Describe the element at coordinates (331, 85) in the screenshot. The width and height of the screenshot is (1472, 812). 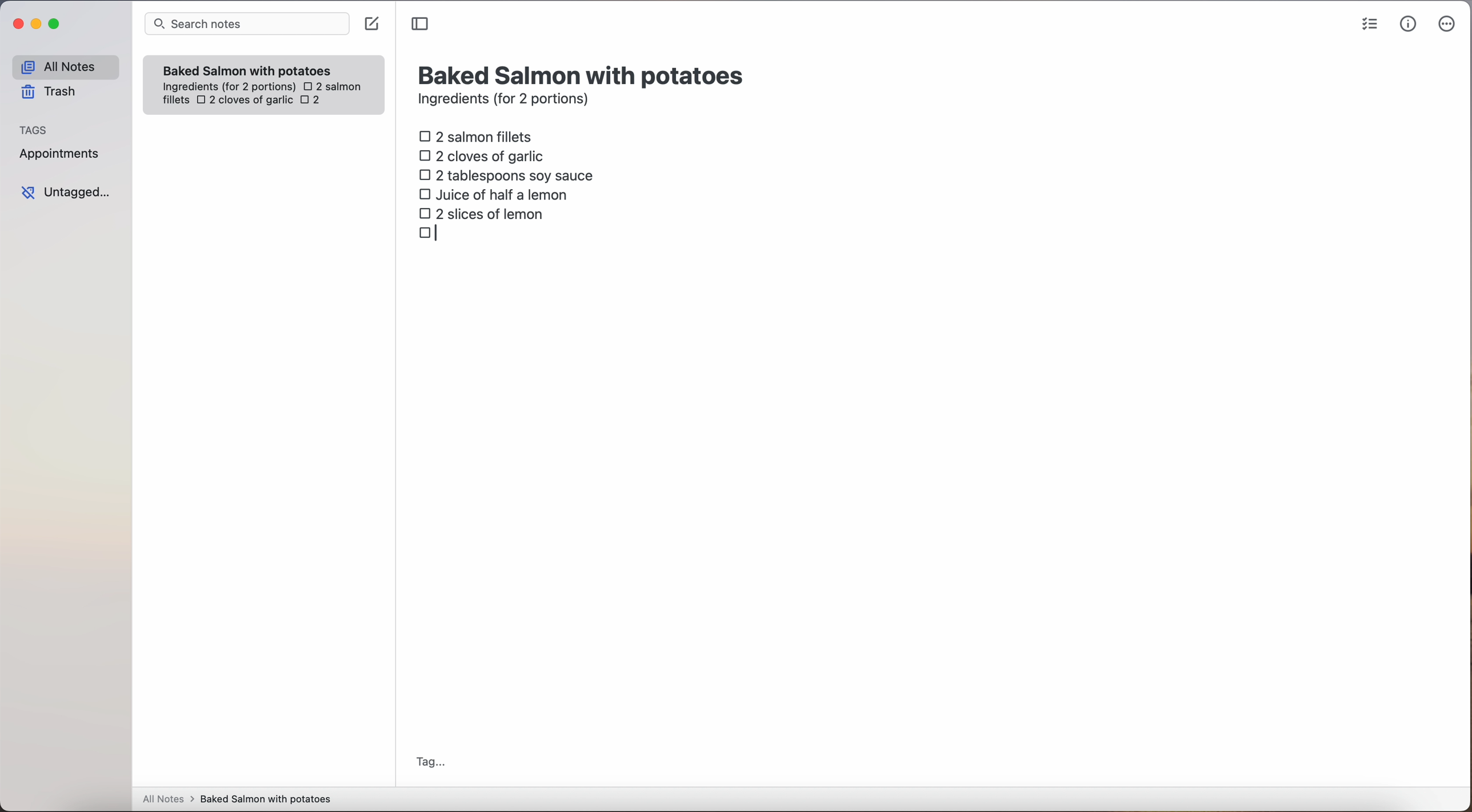
I see `2 salmon` at that location.